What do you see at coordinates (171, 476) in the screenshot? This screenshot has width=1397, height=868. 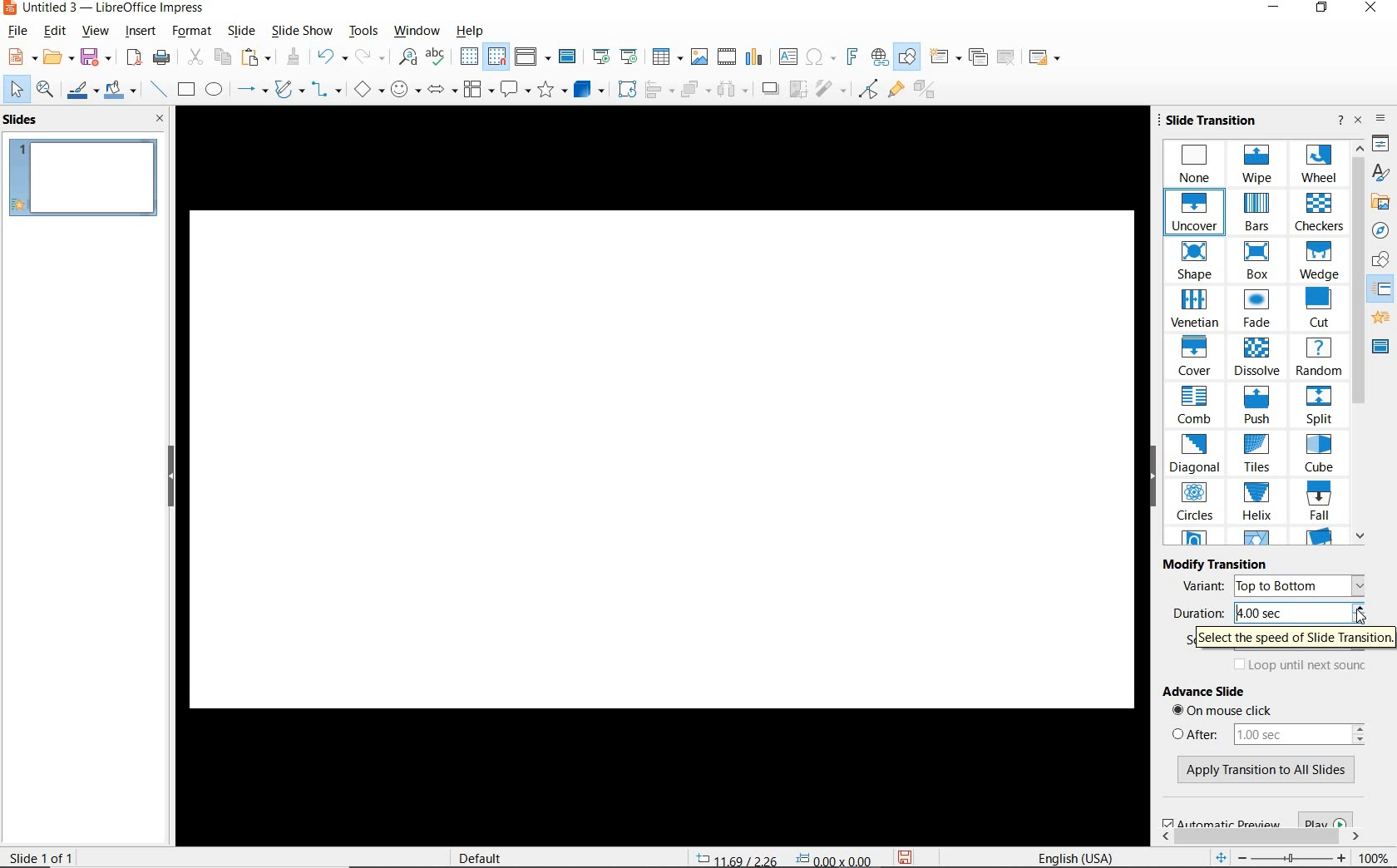 I see `HIDE` at bounding box center [171, 476].